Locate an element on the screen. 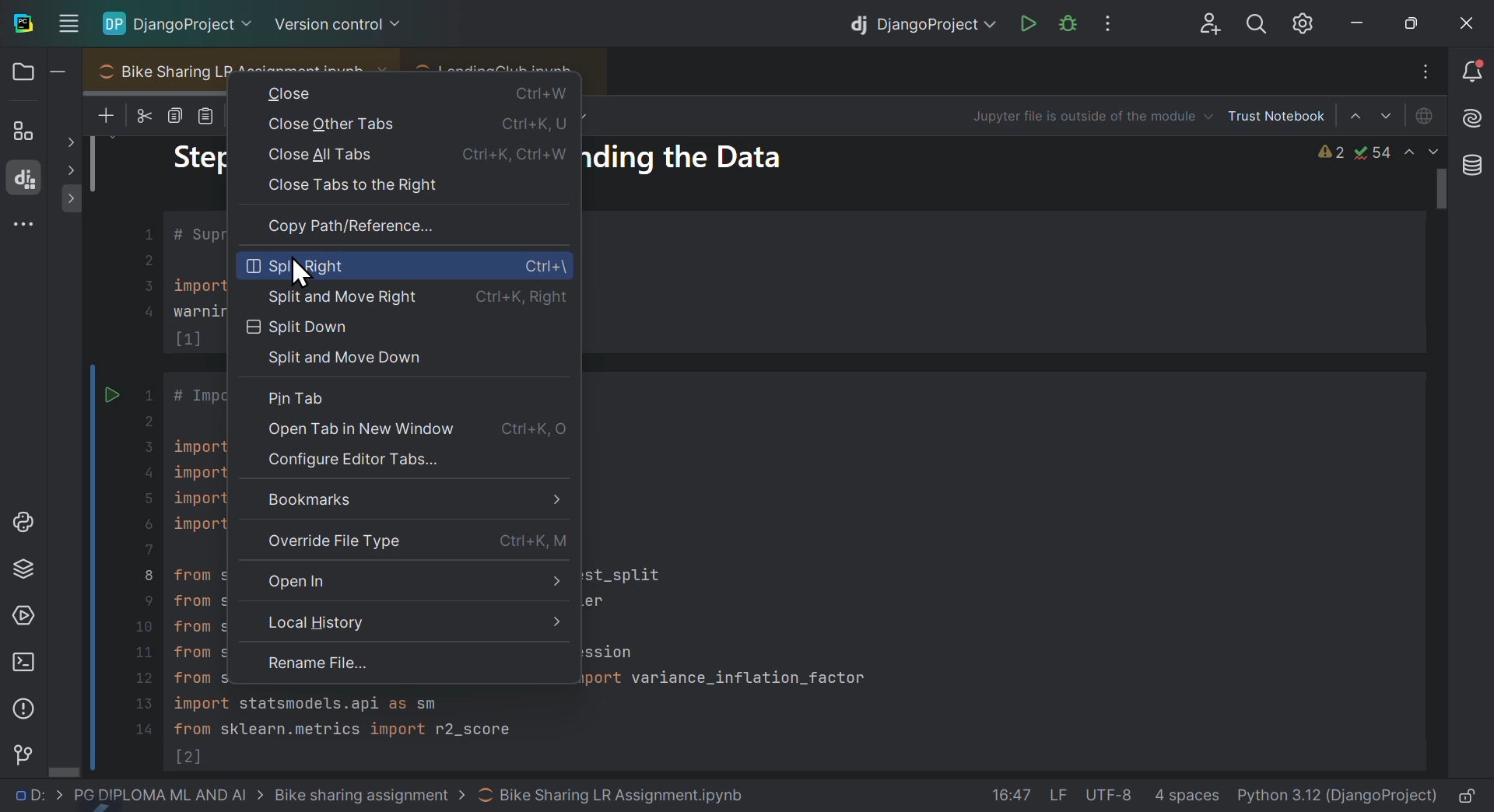 The height and width of the screenshot is (812, 1494). At maximise is located at coordinates (1411, 23).